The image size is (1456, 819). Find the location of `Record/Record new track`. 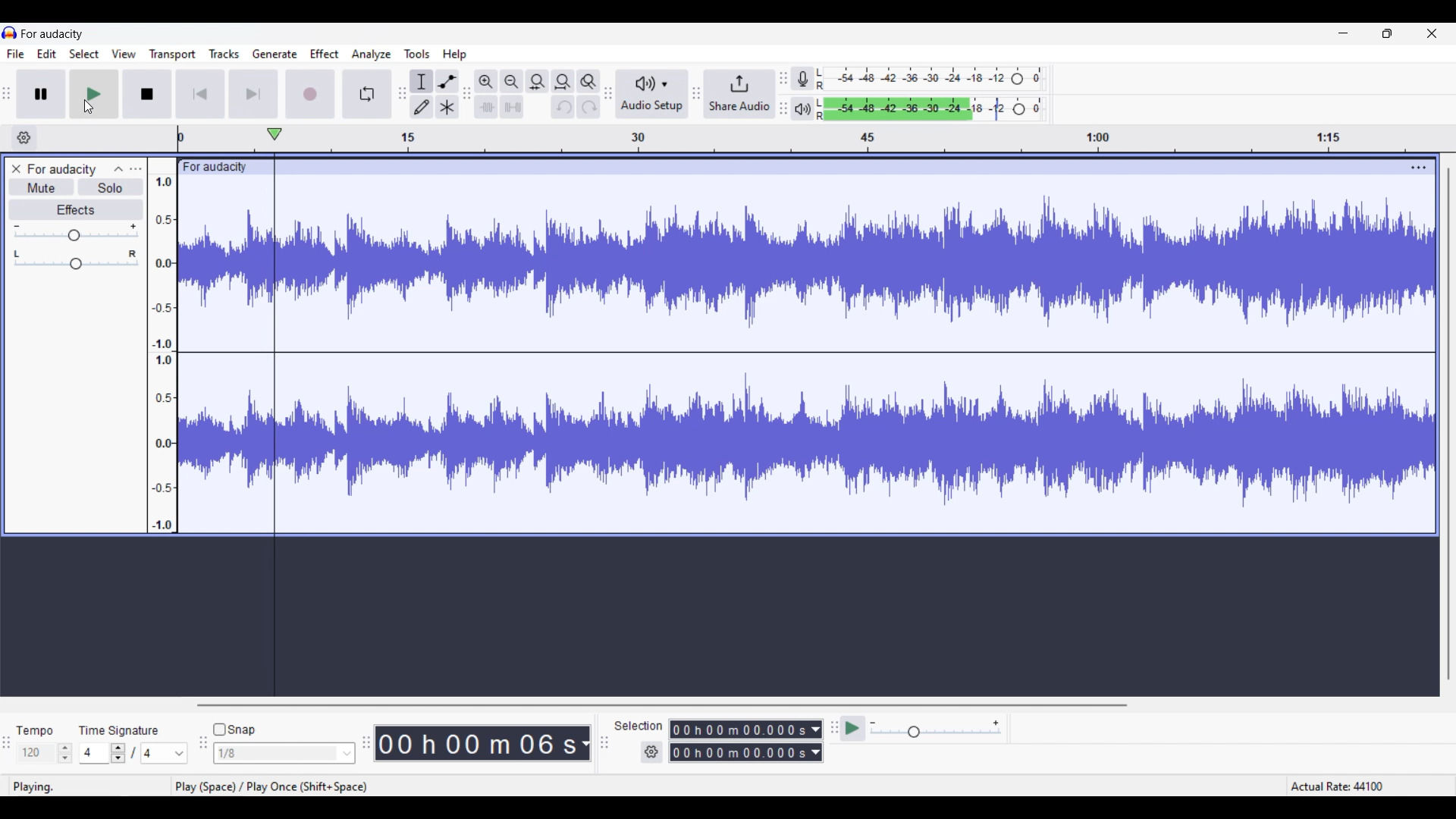

Record/Record new track is located at coordinates (311, 94).